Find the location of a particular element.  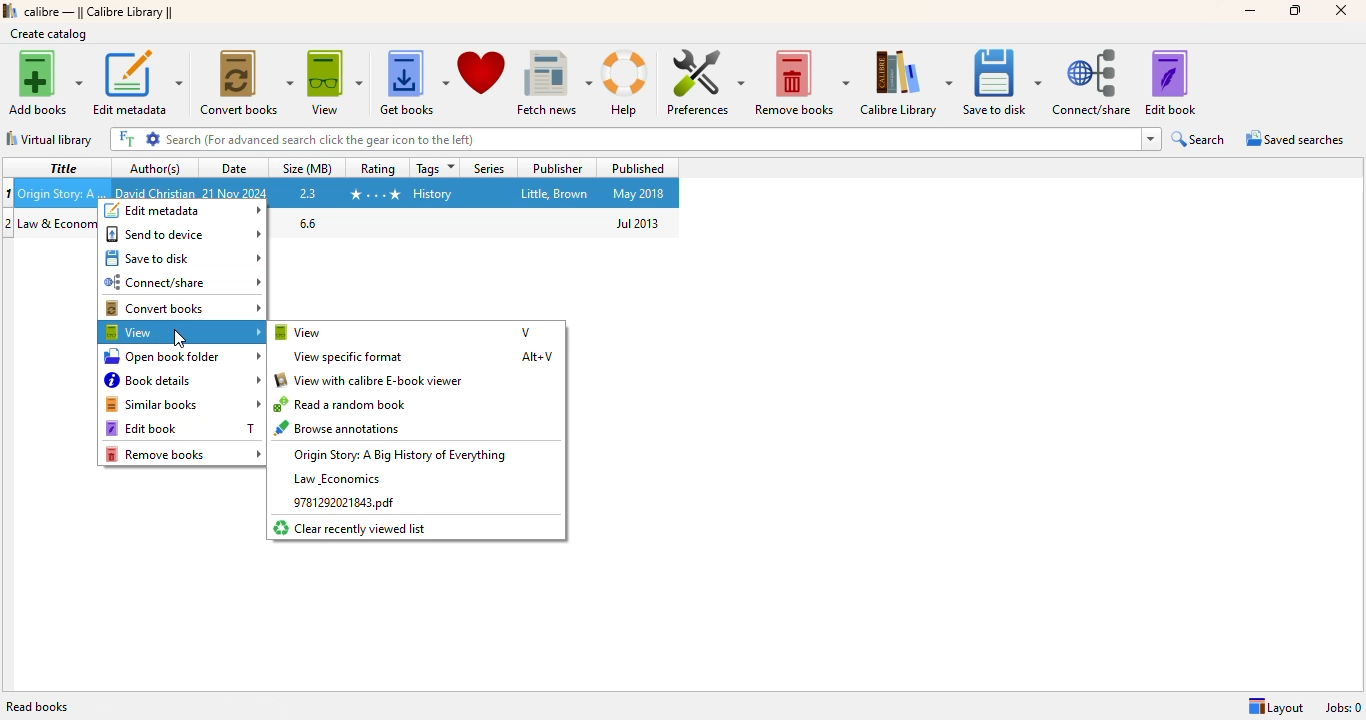

maximize is located at coordinates (1295, 11).